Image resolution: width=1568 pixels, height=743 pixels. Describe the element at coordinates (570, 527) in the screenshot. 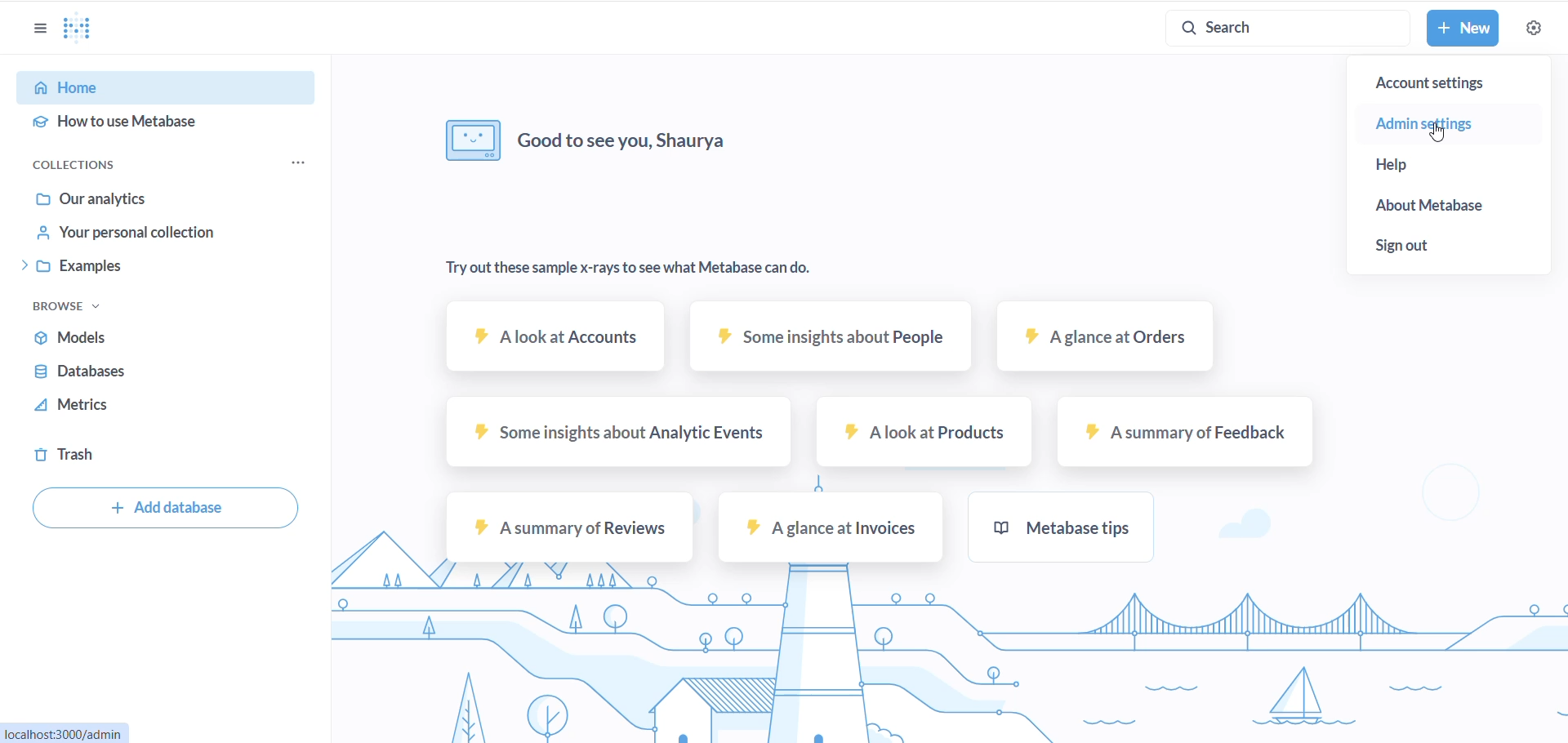

I see `A summary of Reviews sample` at that location.